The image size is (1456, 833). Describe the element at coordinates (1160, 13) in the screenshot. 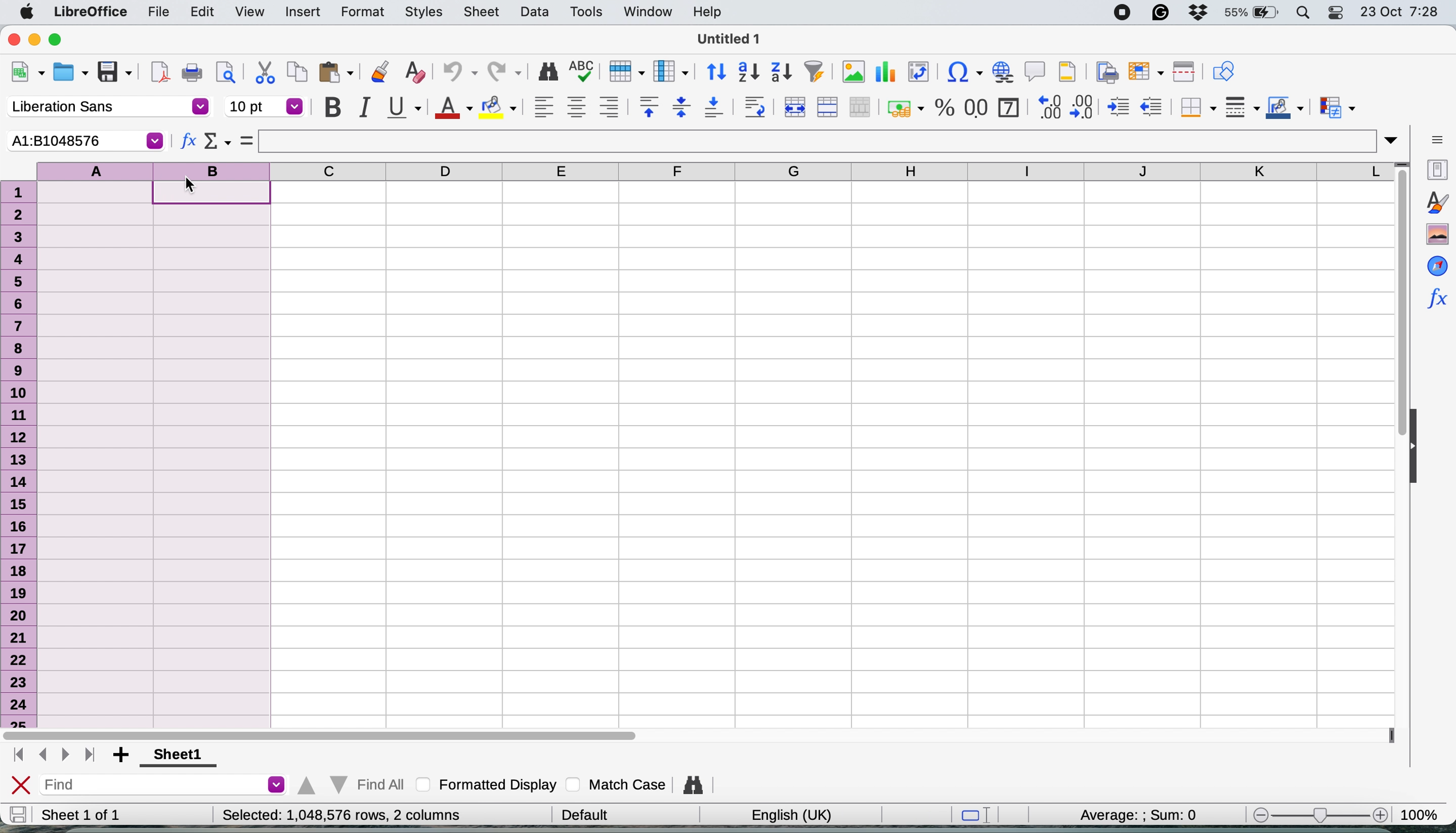

I see `grammarly` at that location.